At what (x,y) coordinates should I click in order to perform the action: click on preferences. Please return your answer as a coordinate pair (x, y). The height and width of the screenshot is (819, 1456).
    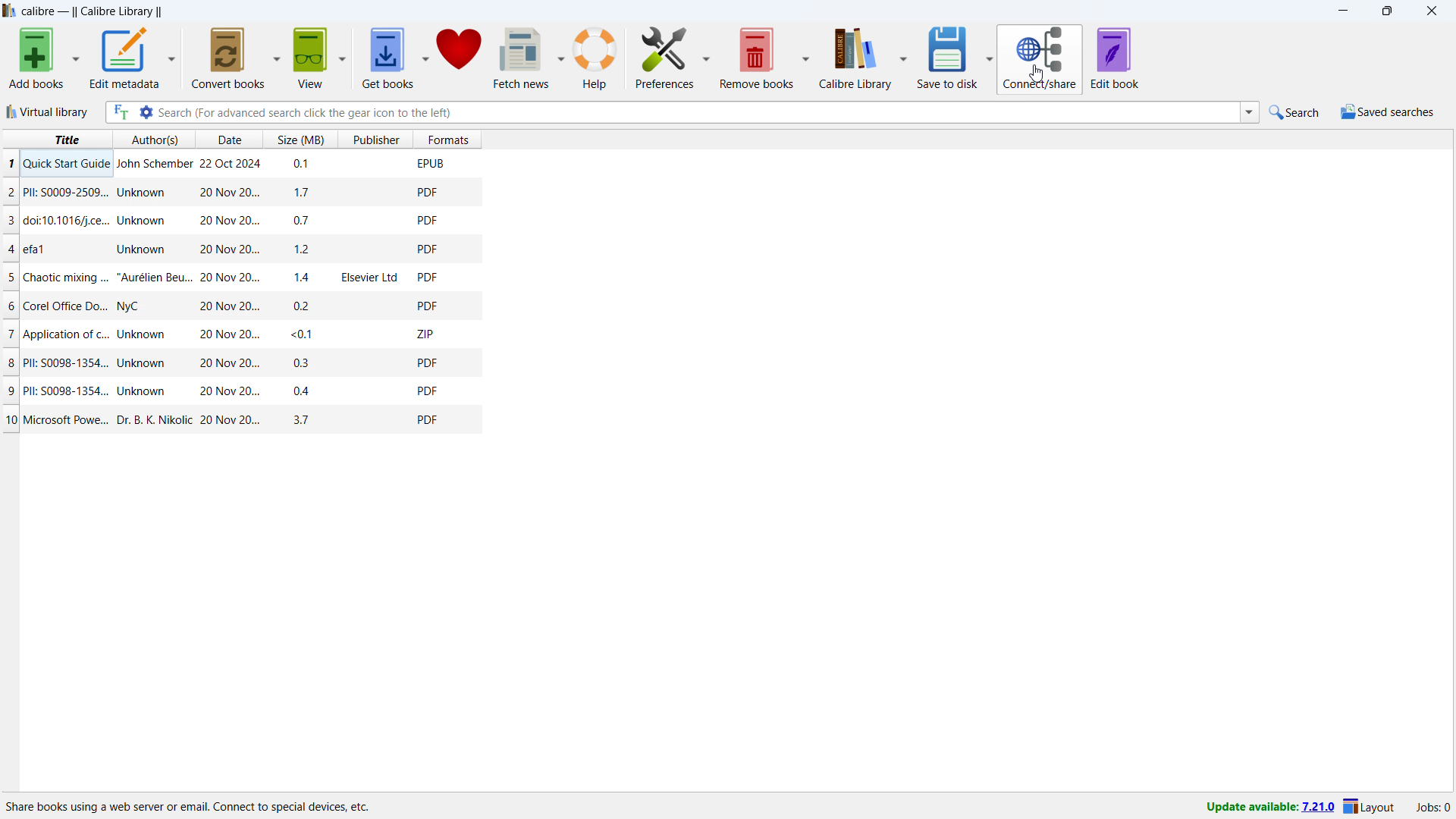
    Looking at the image, I should click on (665, 57).